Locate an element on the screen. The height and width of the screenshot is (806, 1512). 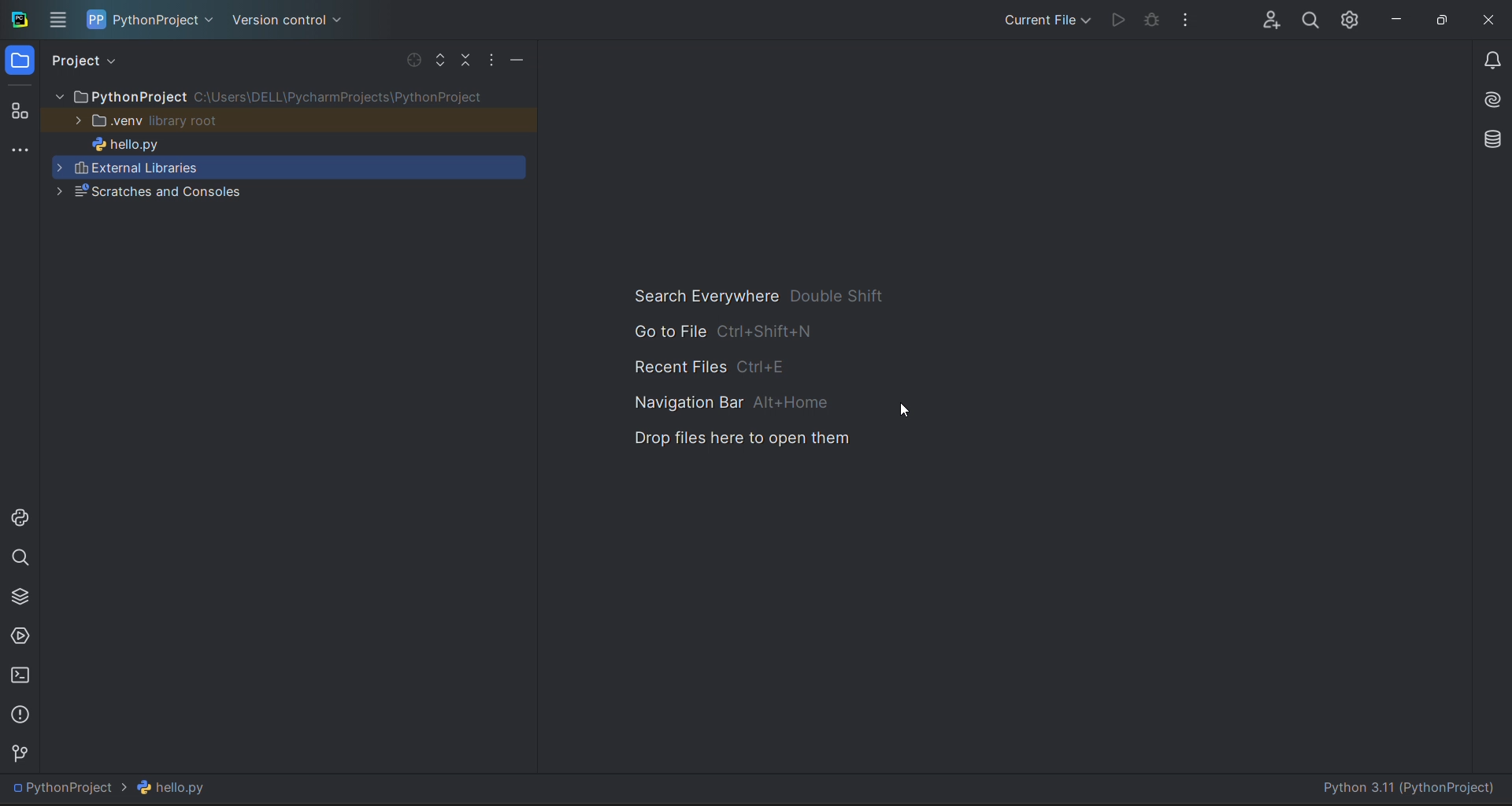
services is located at coordinates (20, 634).